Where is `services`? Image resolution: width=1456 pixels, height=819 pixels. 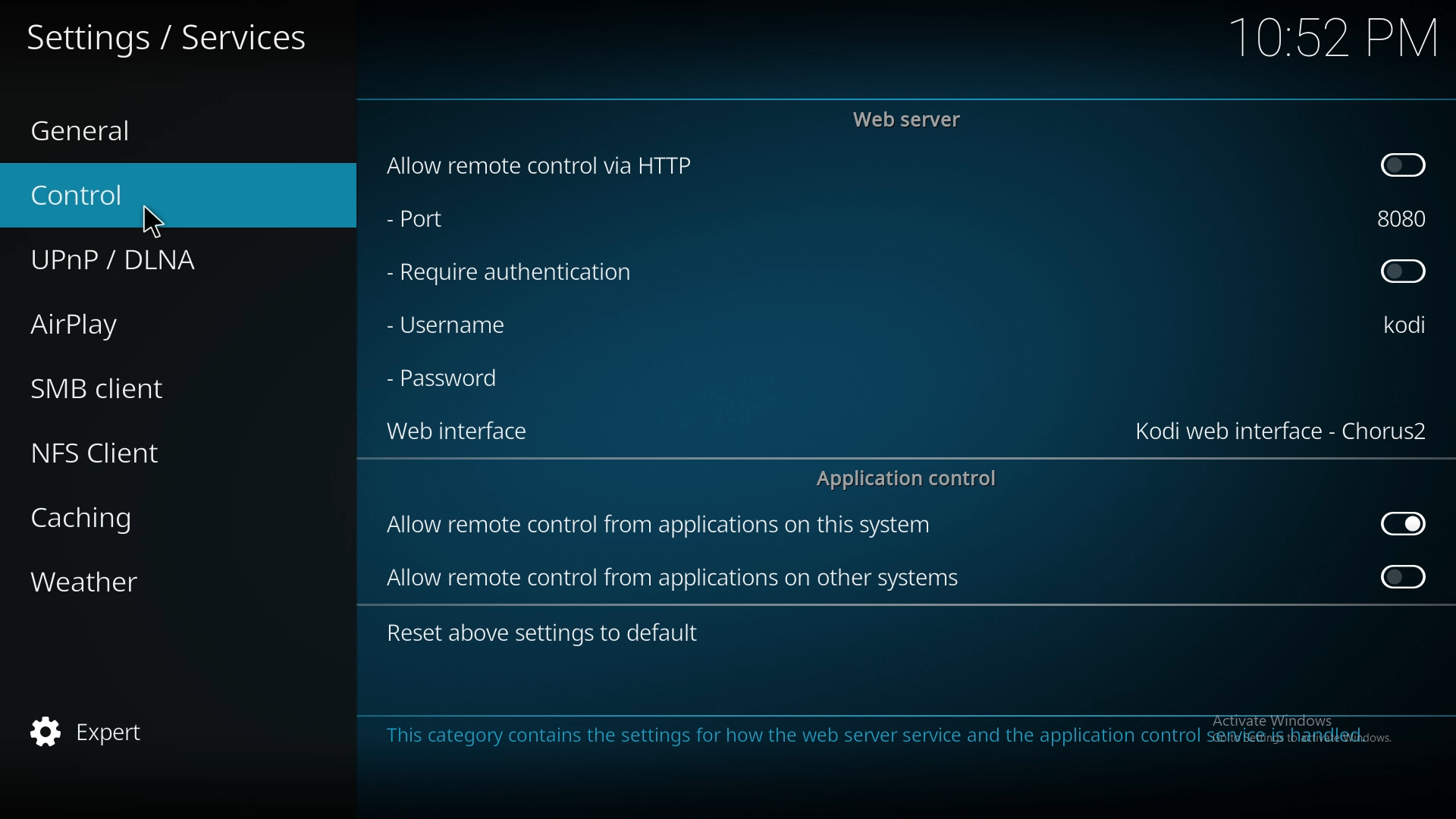
services is located at coordinates (168, 34).